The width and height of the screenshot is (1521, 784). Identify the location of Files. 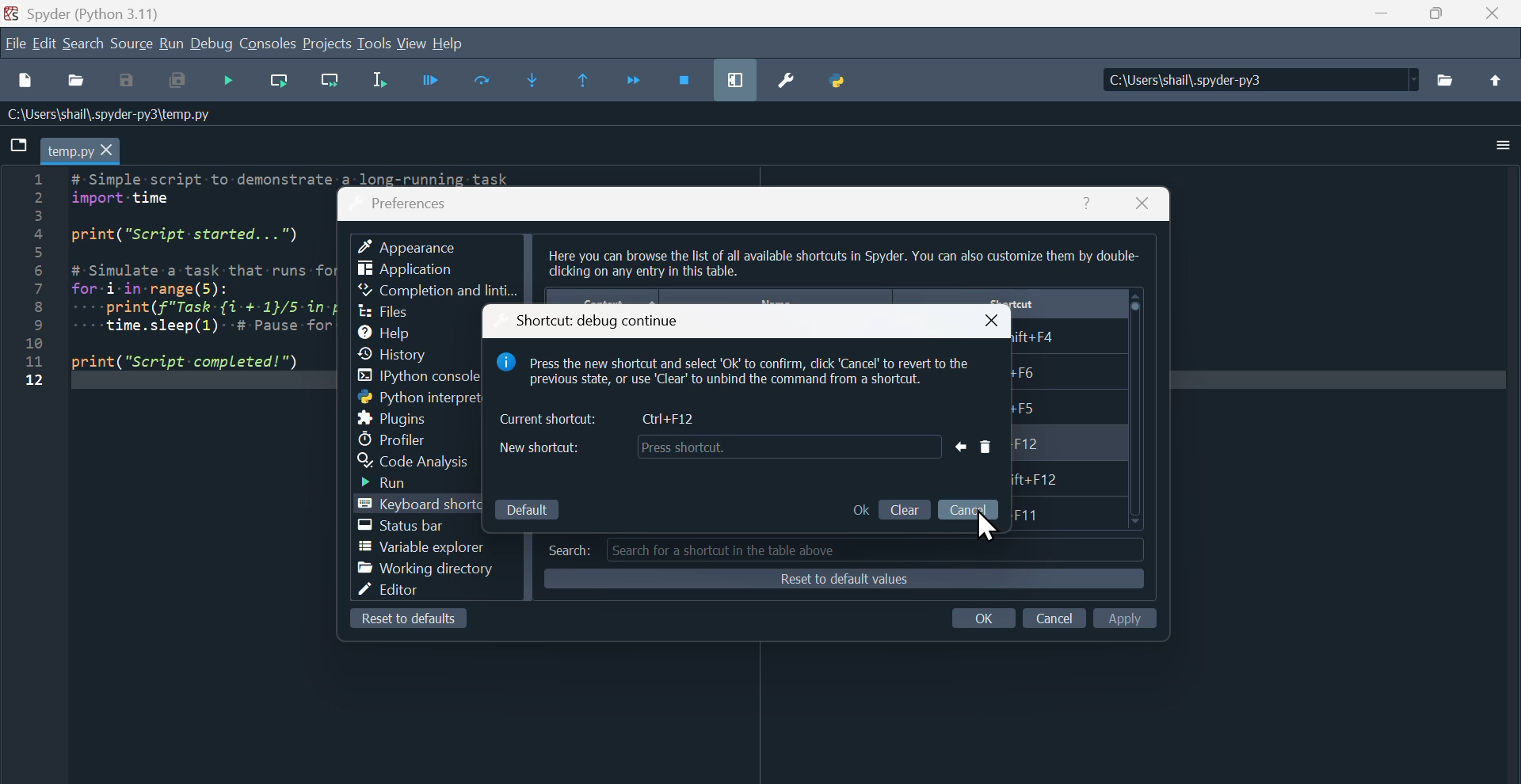
(387, 310).